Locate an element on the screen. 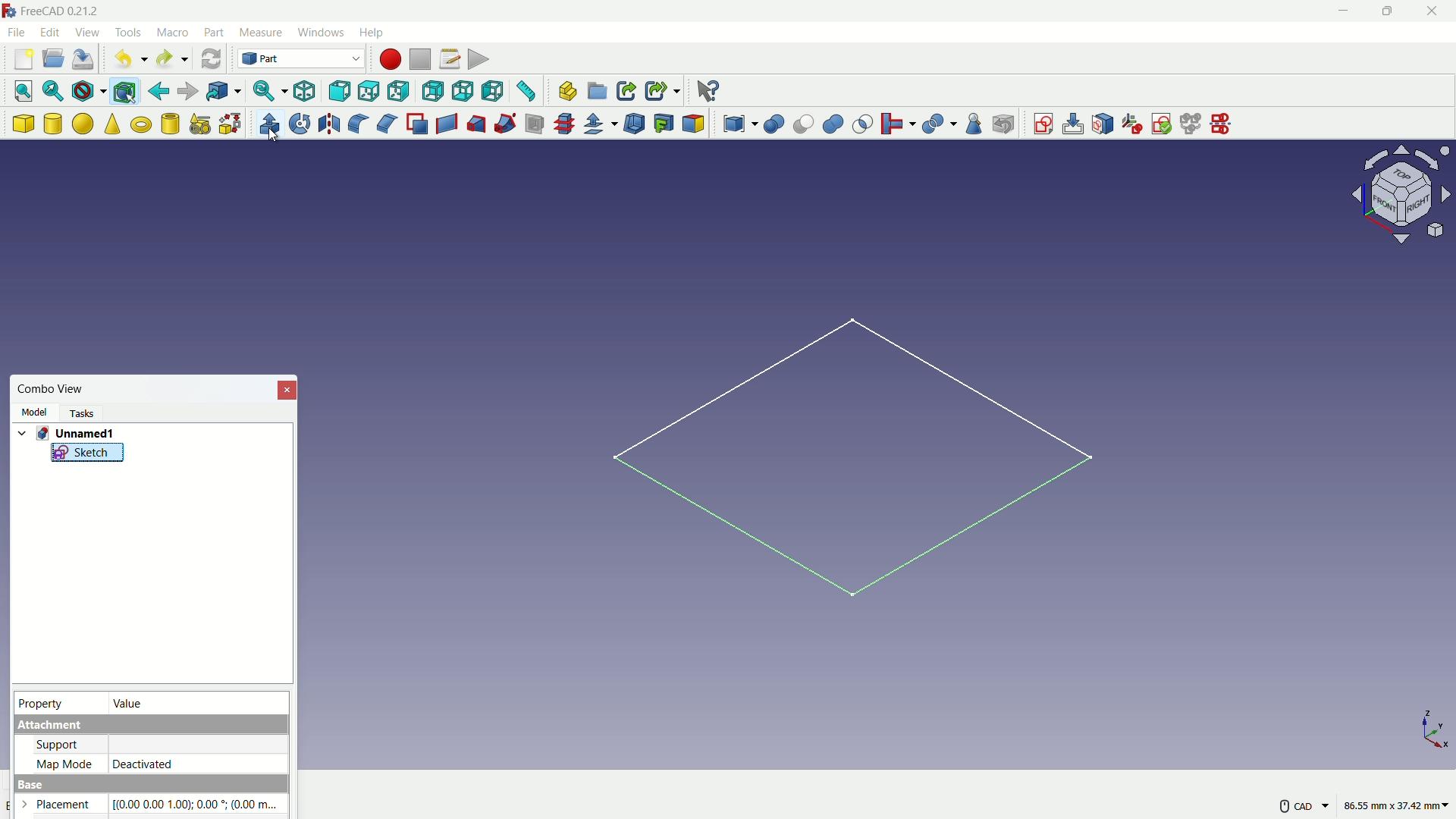 The width and height of the screenshot is (1456, 819). map mode is located at coordinates (62, 762).